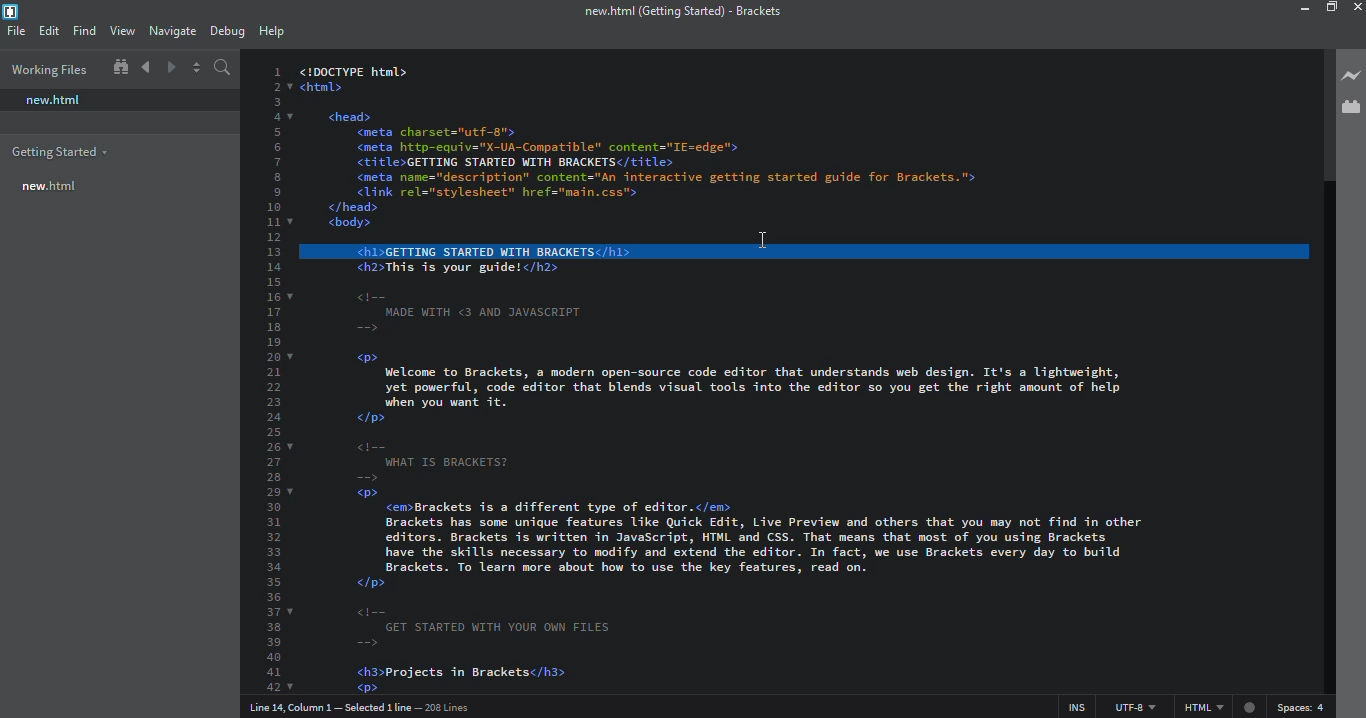 This screenshot has width=1366, height=718. What do you see at coordinates (1355, 7) in the screenshot?
I see `close` at bounding box center [1355, 7].